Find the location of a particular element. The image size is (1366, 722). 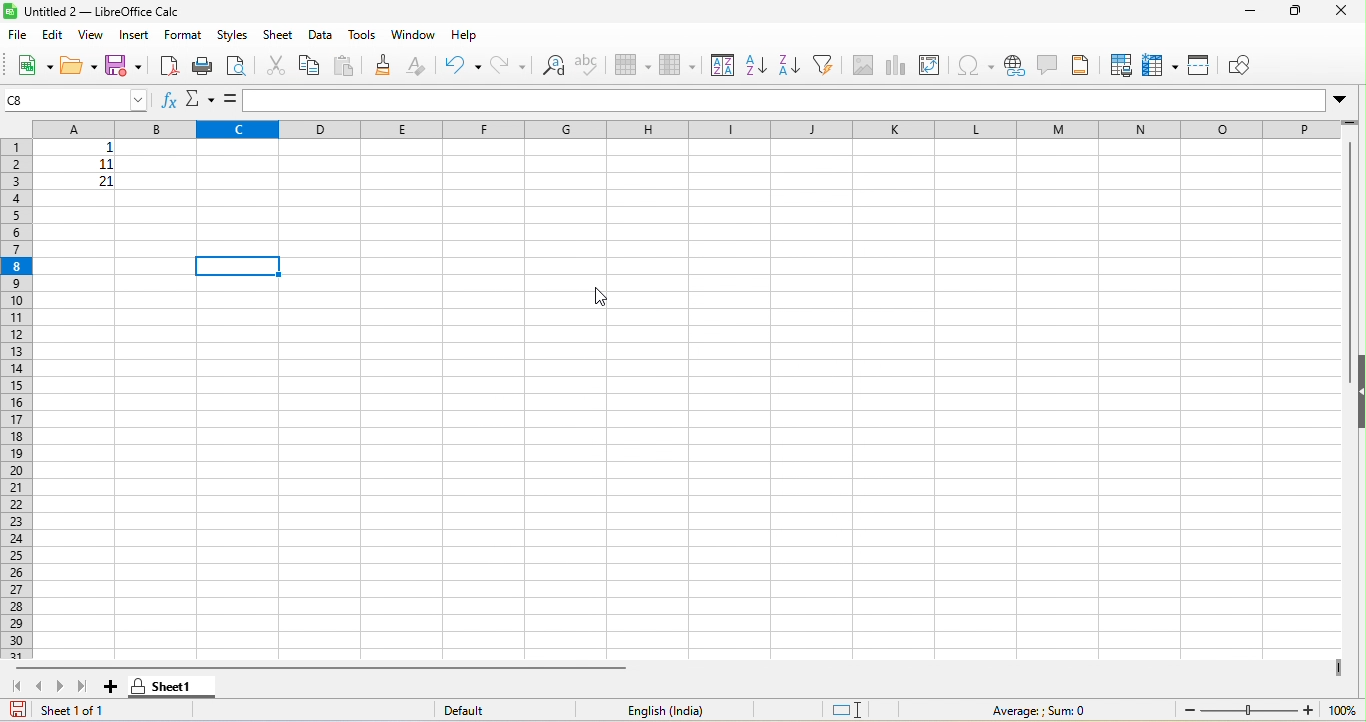

column is located at coordinates (688, 64).